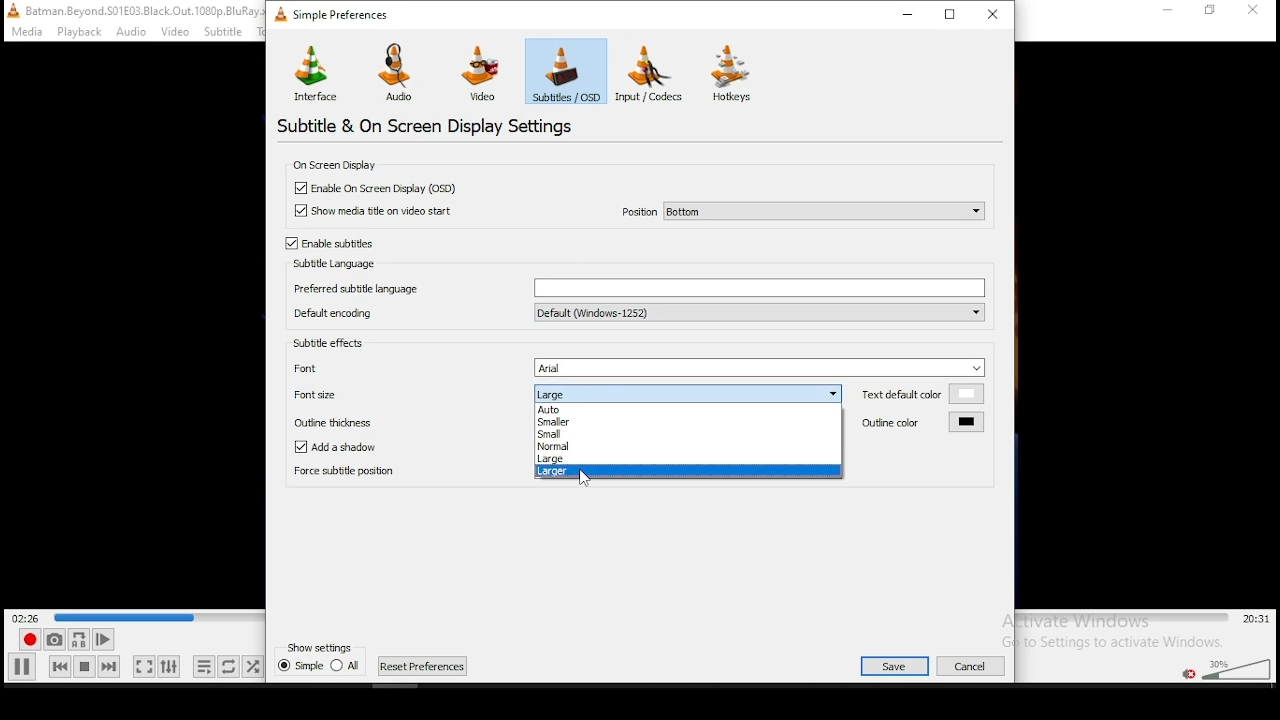 This screenshot has height=720, width=1280. Describe the element at coordinates (54, 639) in the screenshot. I see `take a snapshot` at that location.